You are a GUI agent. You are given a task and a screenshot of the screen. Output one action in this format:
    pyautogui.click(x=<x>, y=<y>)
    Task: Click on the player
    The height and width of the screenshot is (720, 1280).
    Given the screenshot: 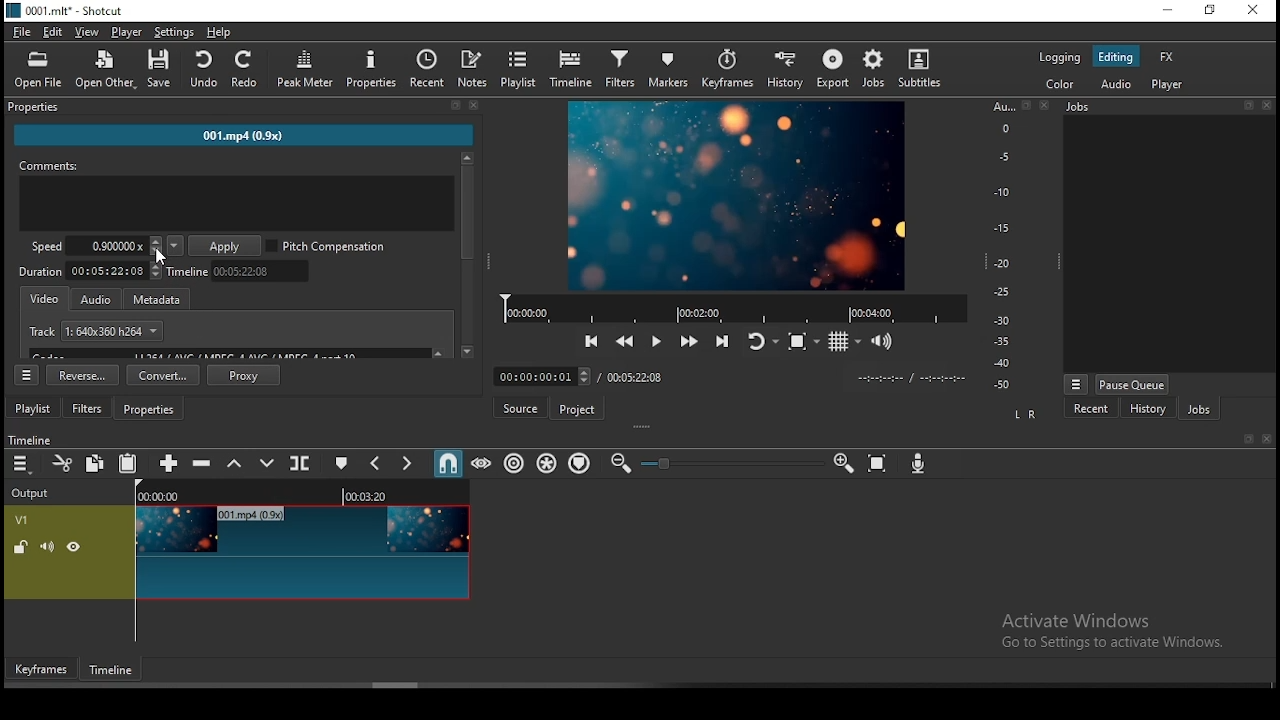 What is the action you would take?
    pyautogui.click(x=127, y=31)
    